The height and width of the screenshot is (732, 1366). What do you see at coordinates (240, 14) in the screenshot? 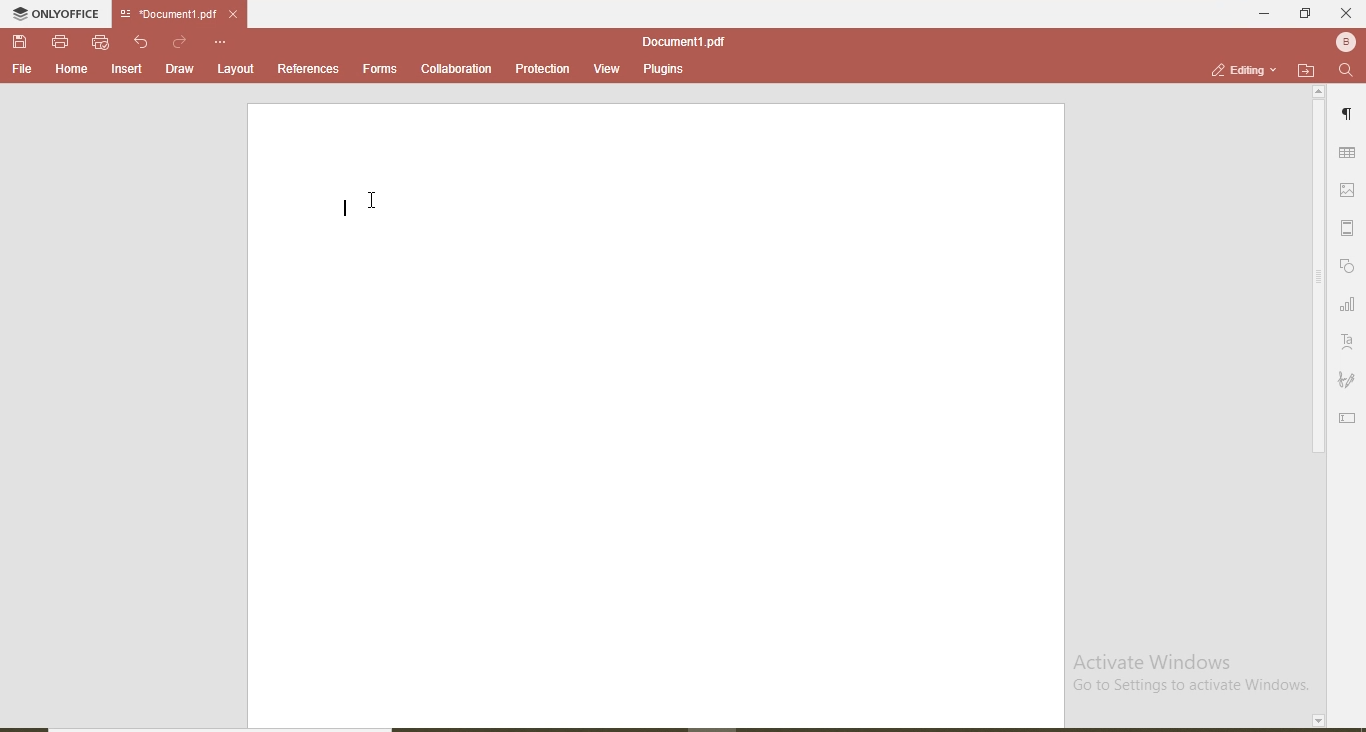
I see `close file` at bounding box center [240, 14].